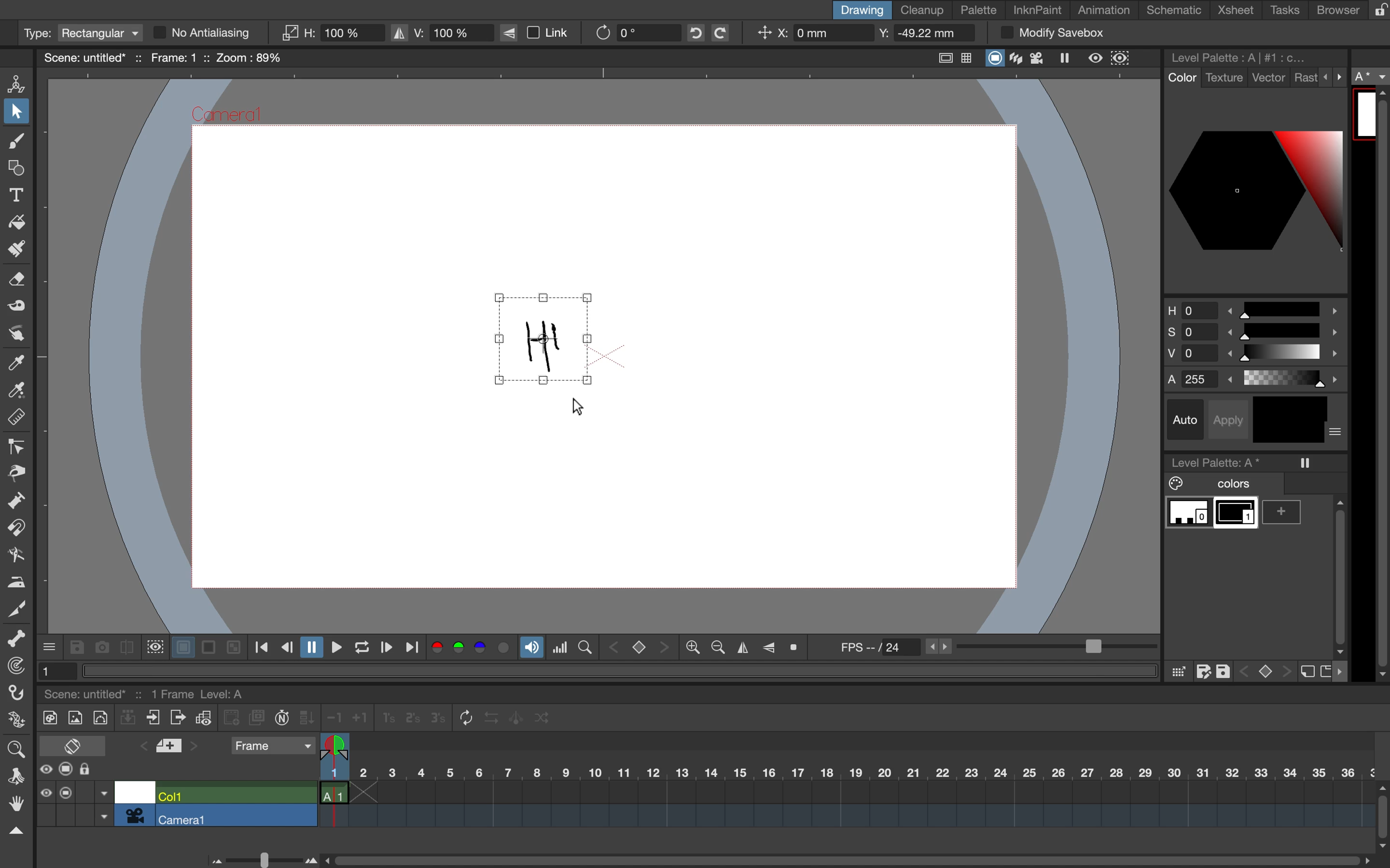  Describe the element at coordinates (17, 114) in the screenshot. I see `selection tool` at that location.